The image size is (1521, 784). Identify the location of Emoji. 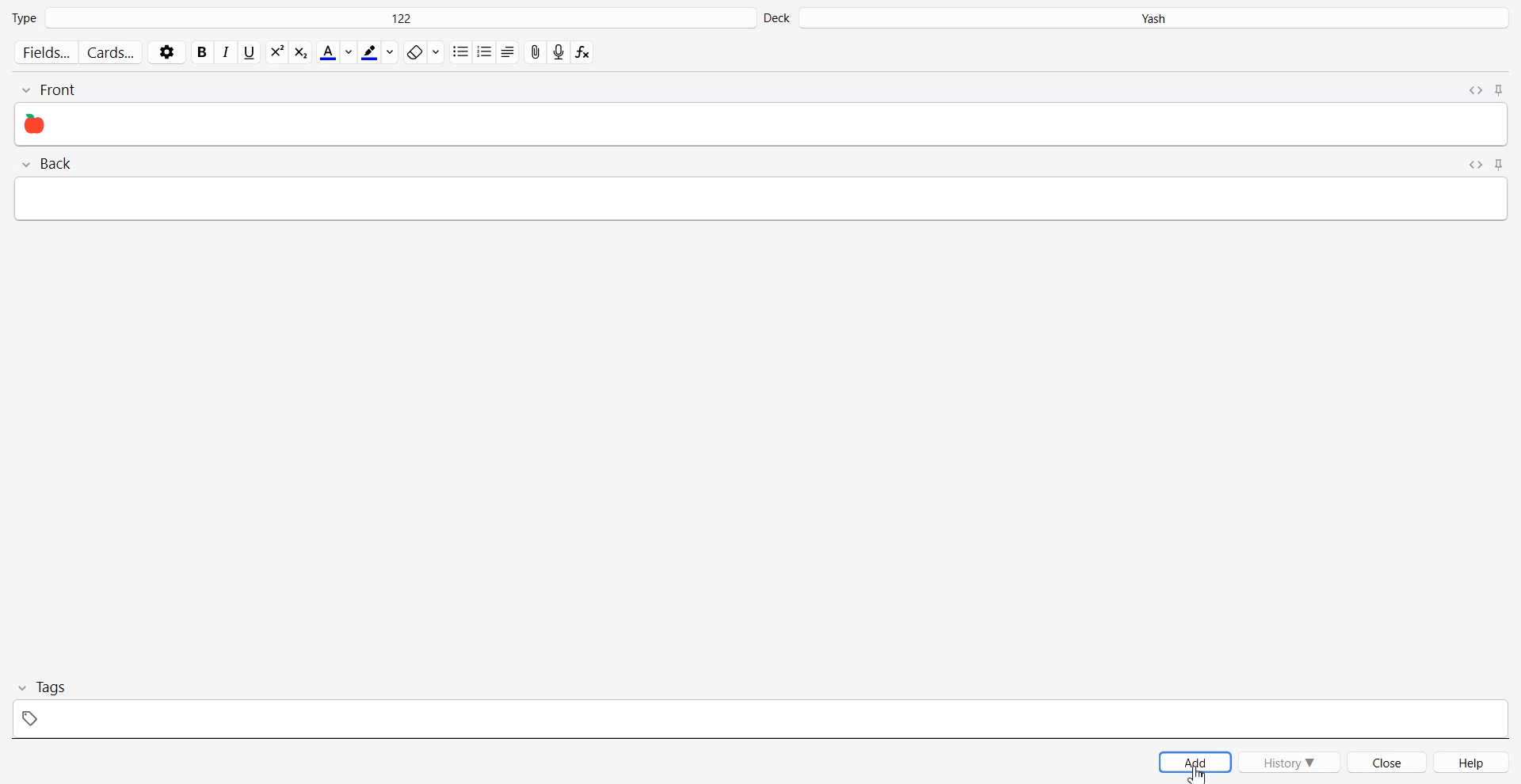
(38, 124).